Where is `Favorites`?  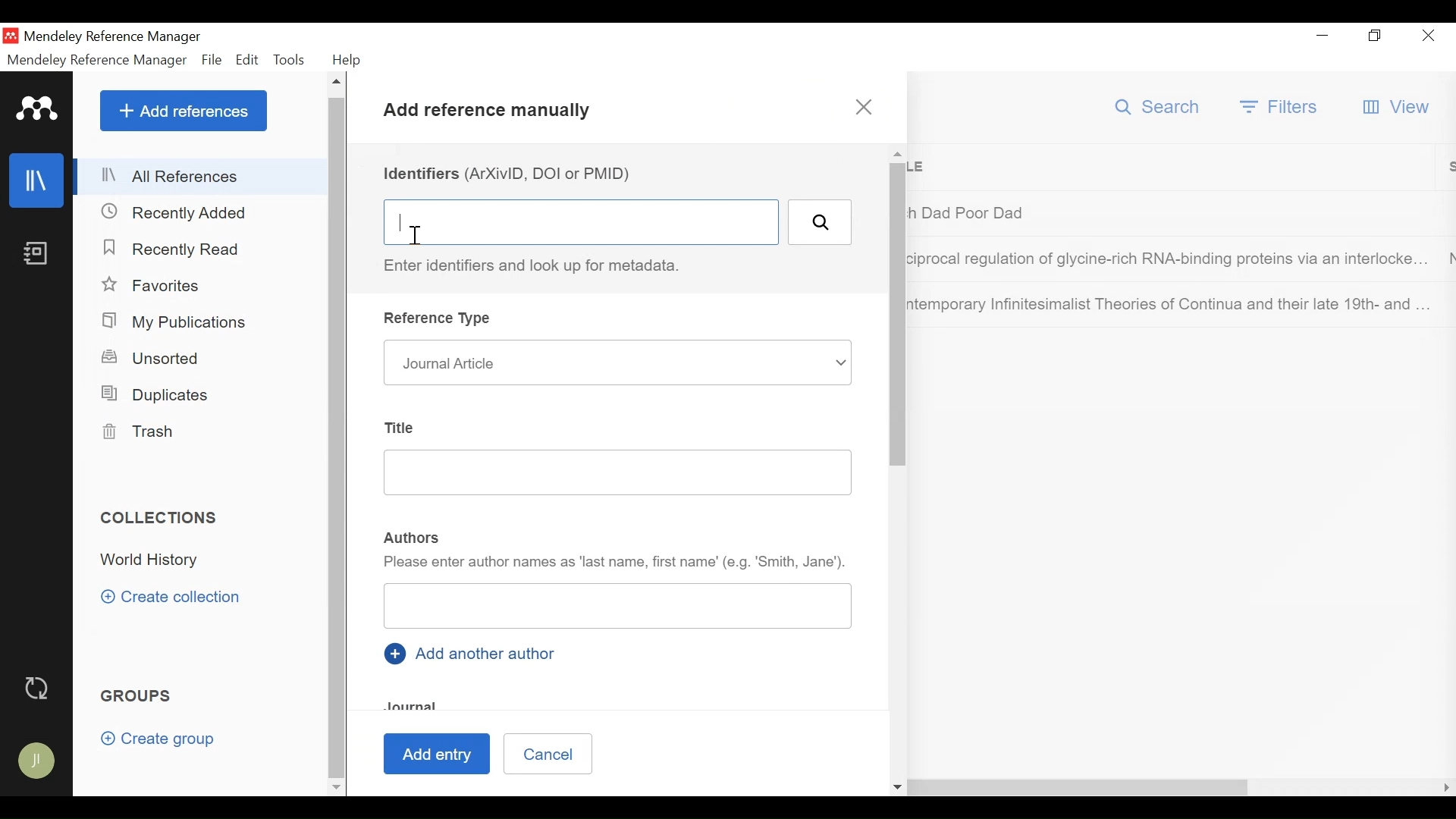 Favorites is located at coordinates (153, 285).